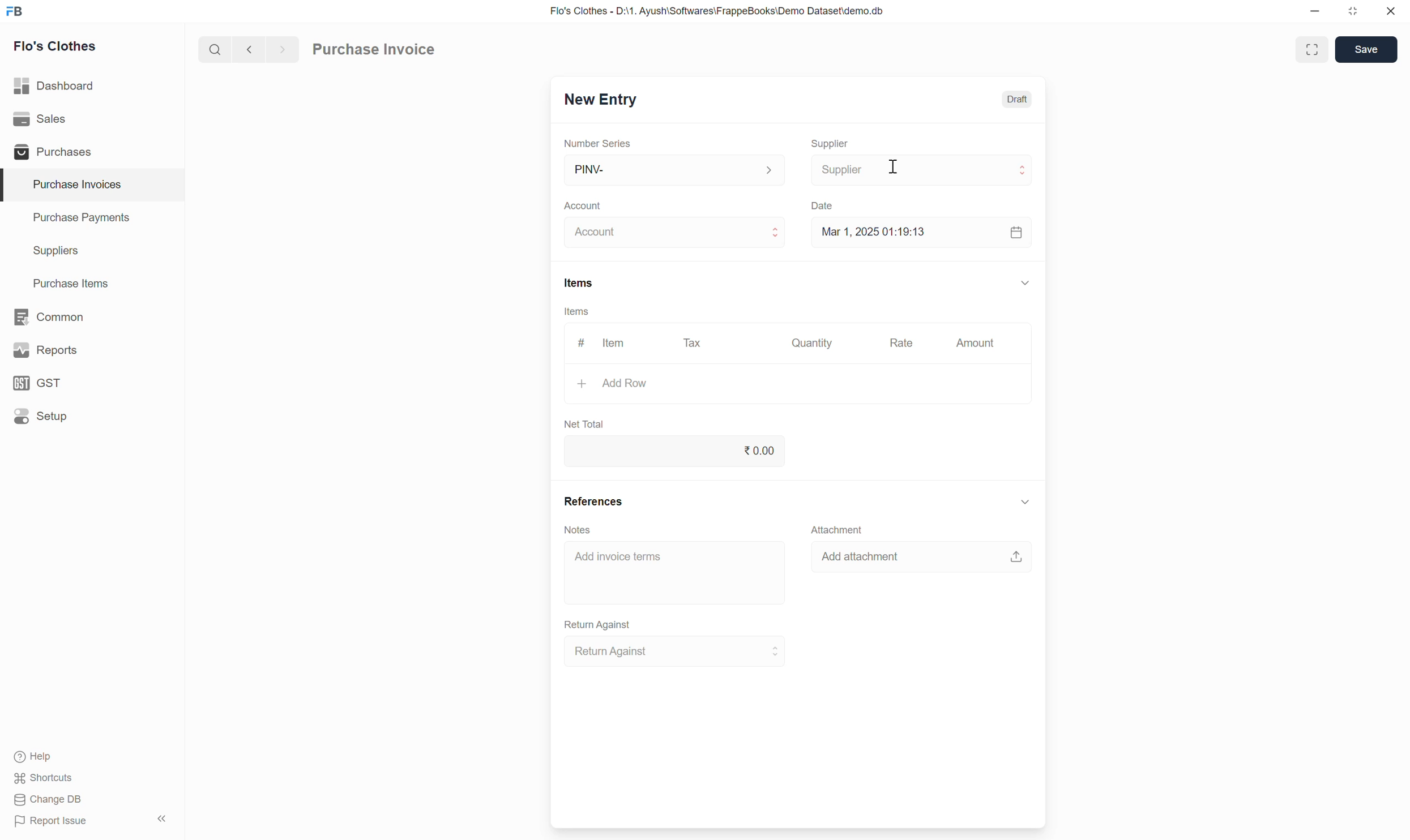 The width and height of the screenshot is (1410, 840). I want to click on Return Against, so click(684, 651).